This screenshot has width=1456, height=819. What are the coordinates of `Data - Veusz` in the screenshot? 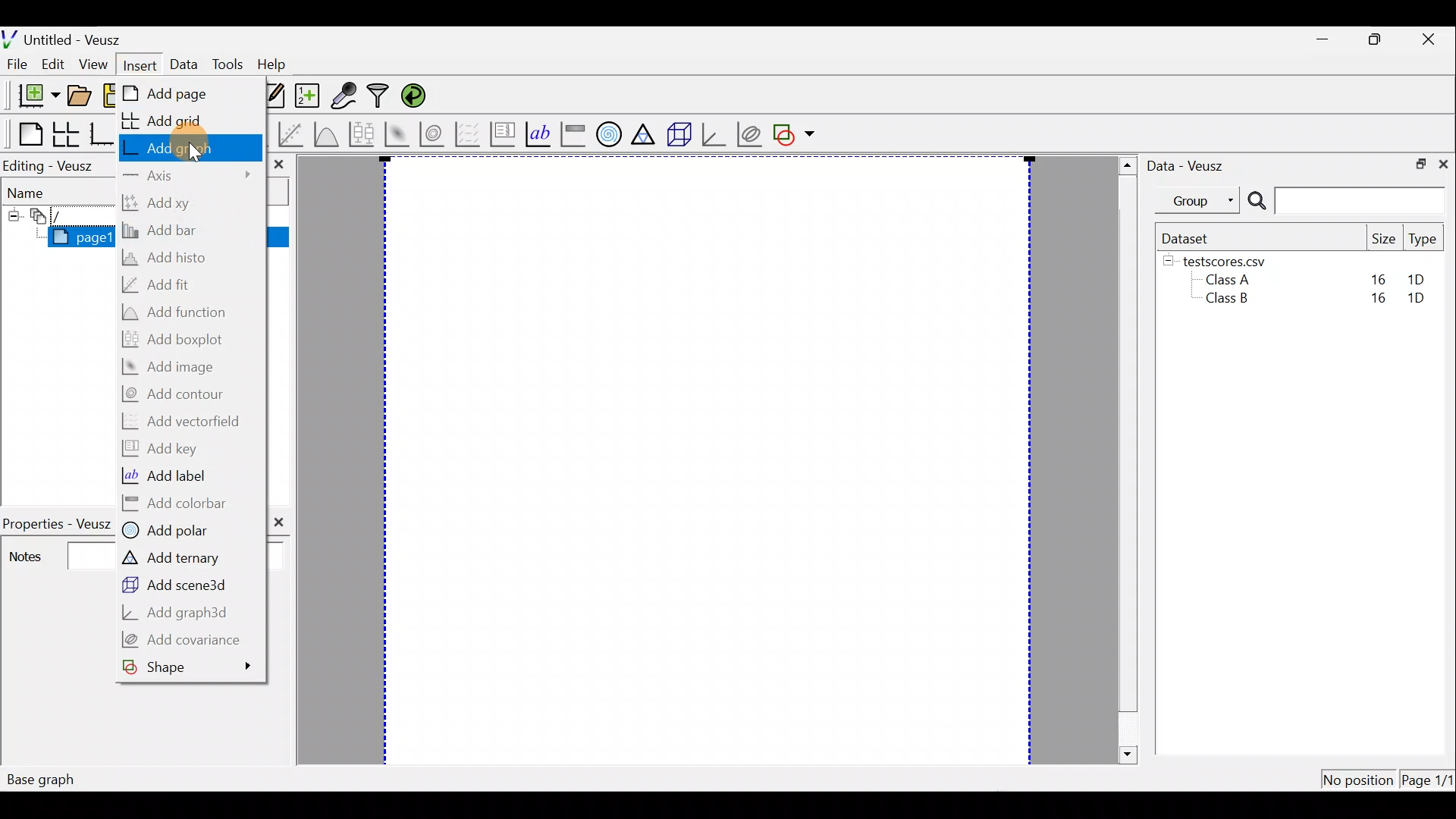 It's located at (1194, 165).